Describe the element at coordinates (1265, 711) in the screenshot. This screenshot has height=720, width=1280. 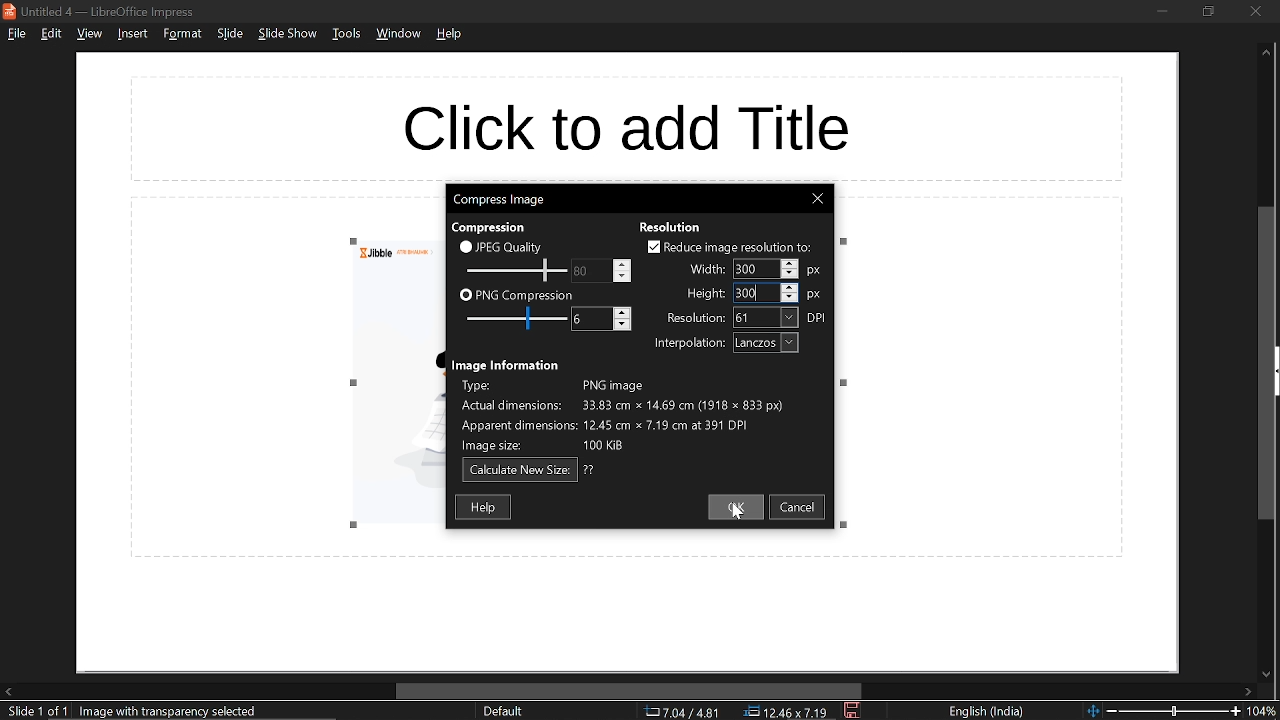
I see `current zoom` at that location.